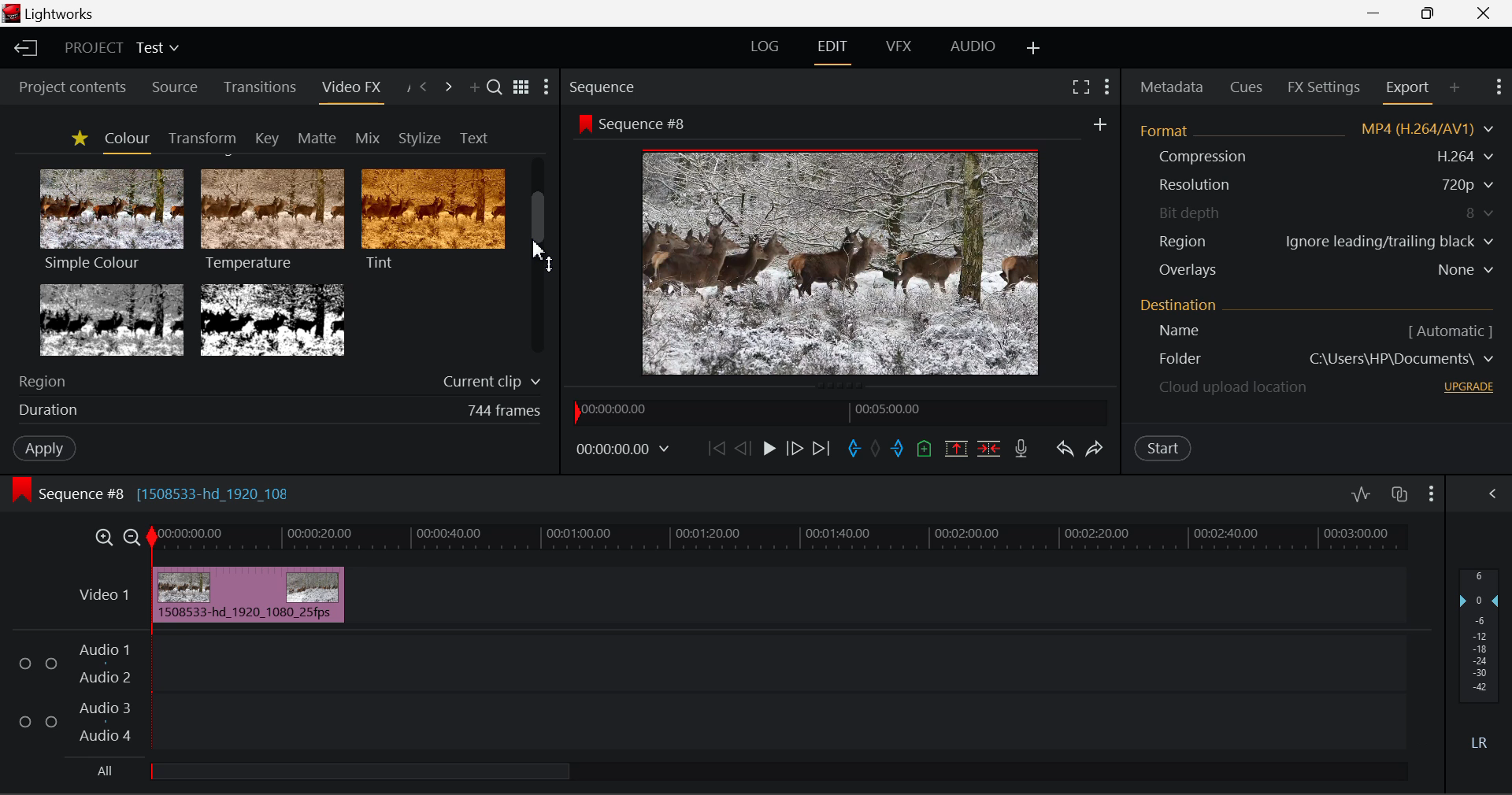 Image resolution: width=1512 pixels, height=795 pixels. What do you see at coordinates (1480, 656) in the screenshot?
I see `Decibel Level` at bounding box center [1480, 656].